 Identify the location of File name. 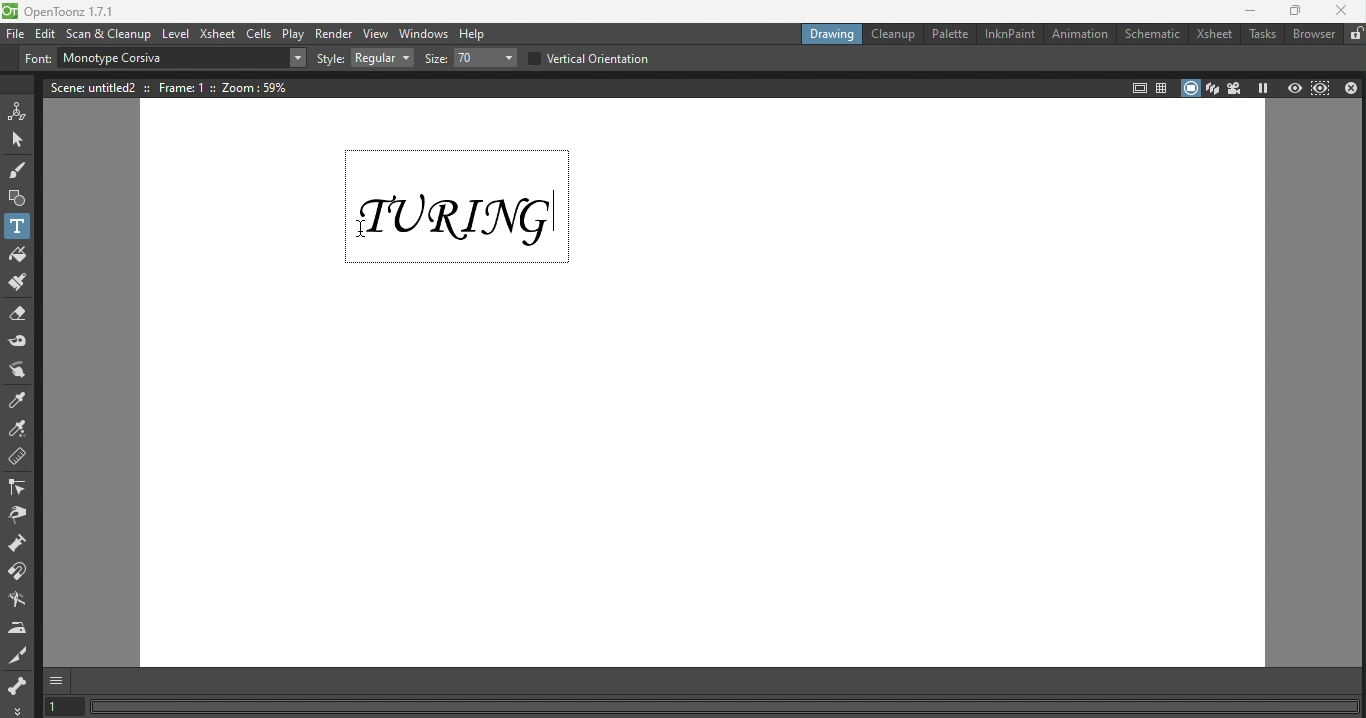
(84, 11).